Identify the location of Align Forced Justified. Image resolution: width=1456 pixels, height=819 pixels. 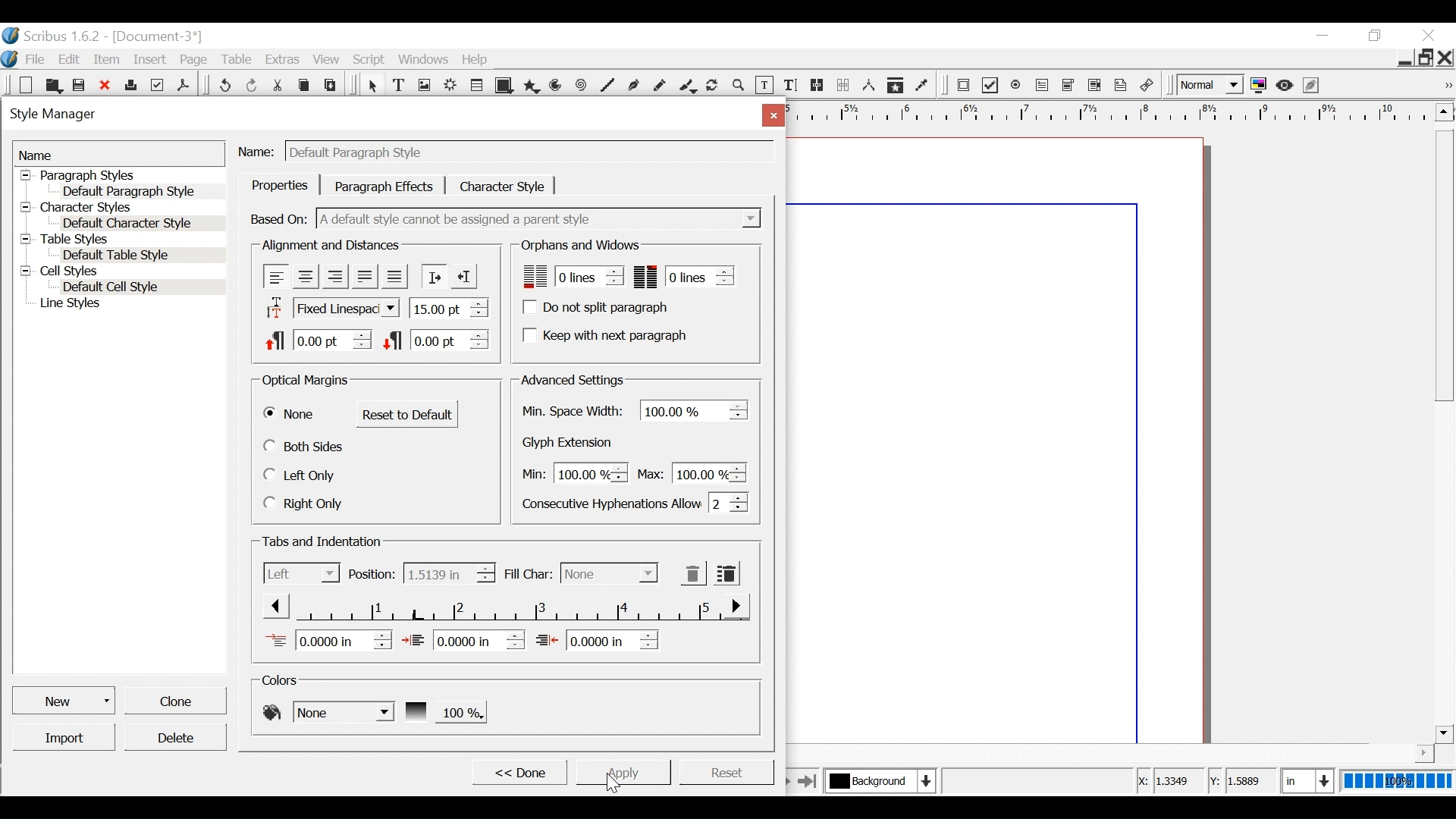
(394, 277).